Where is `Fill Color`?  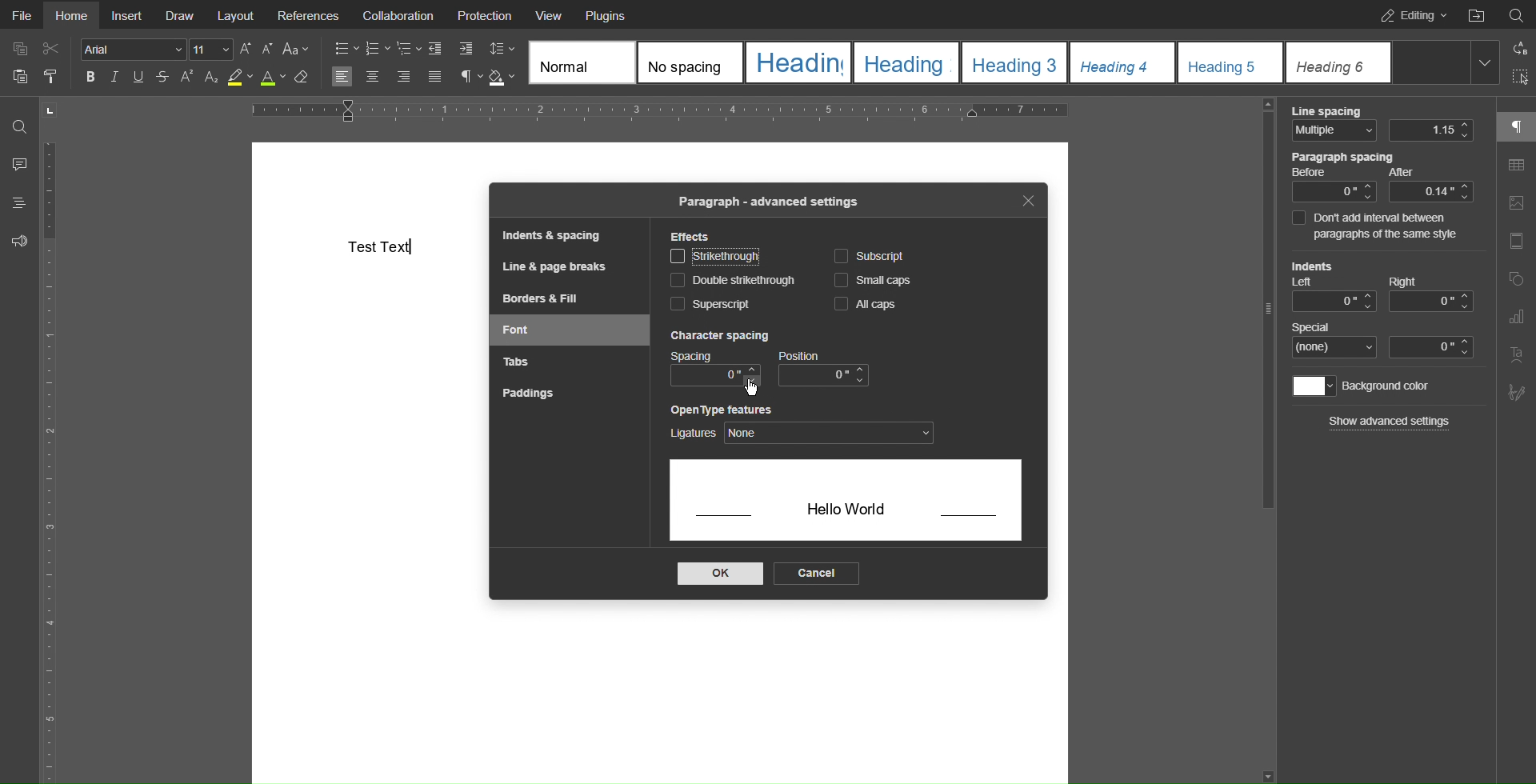 Fill Color is located at coordinates (502, 78).